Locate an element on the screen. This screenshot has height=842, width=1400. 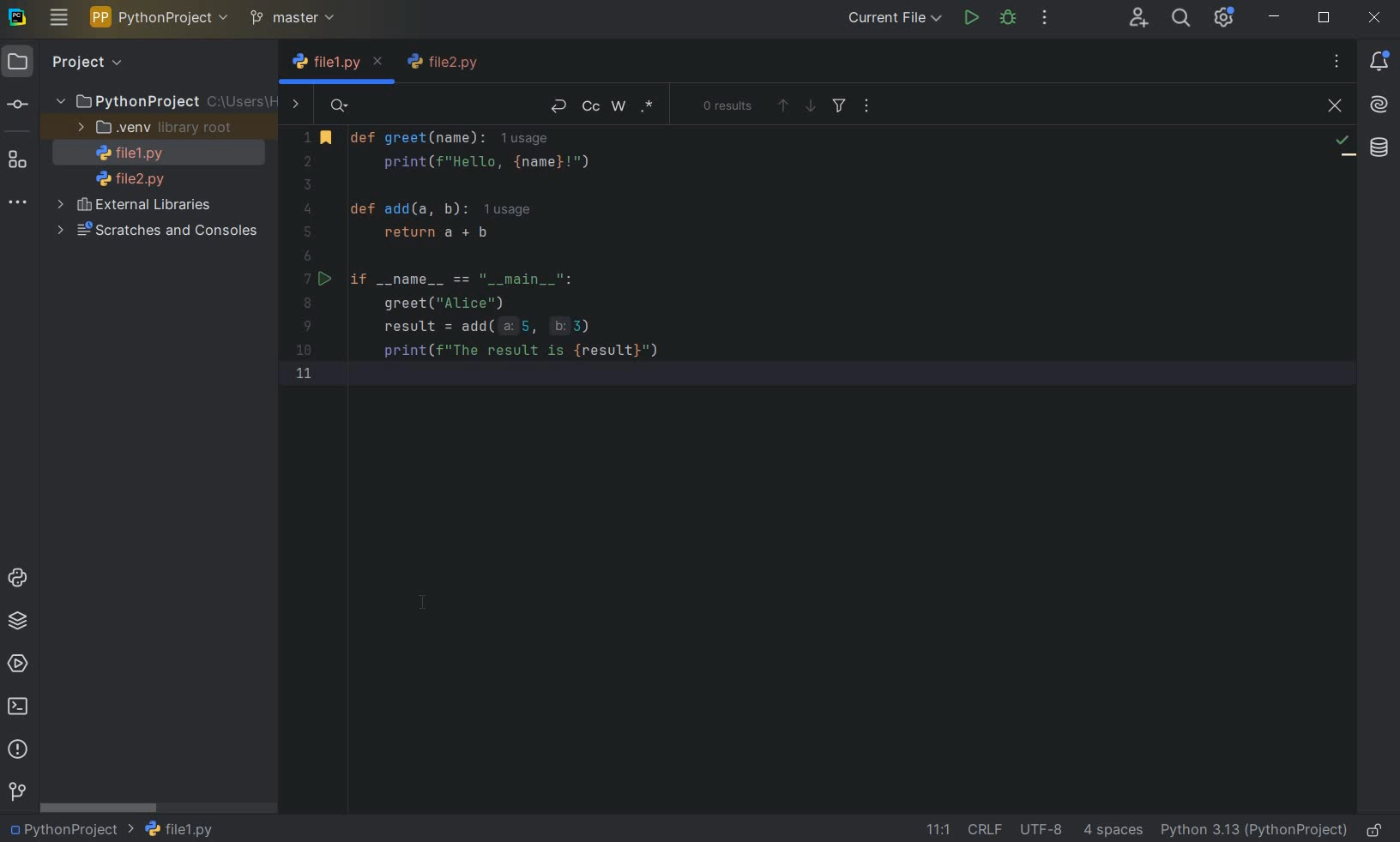
IDE AND PROJECT SETTINGS is located at coordinates (1226, 19).